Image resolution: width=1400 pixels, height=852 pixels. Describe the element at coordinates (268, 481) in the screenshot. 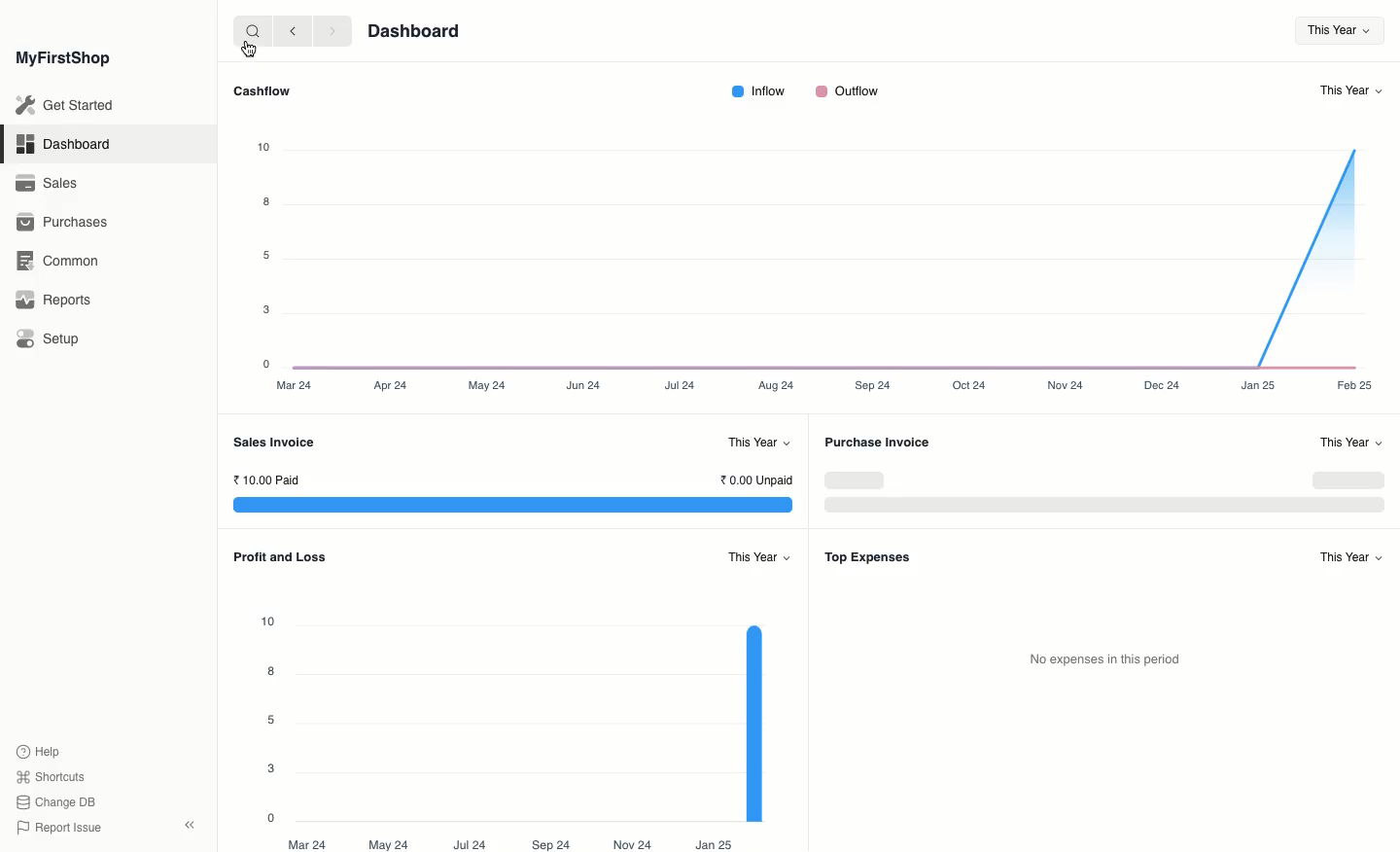

I see `10.00 Paid` at that location.